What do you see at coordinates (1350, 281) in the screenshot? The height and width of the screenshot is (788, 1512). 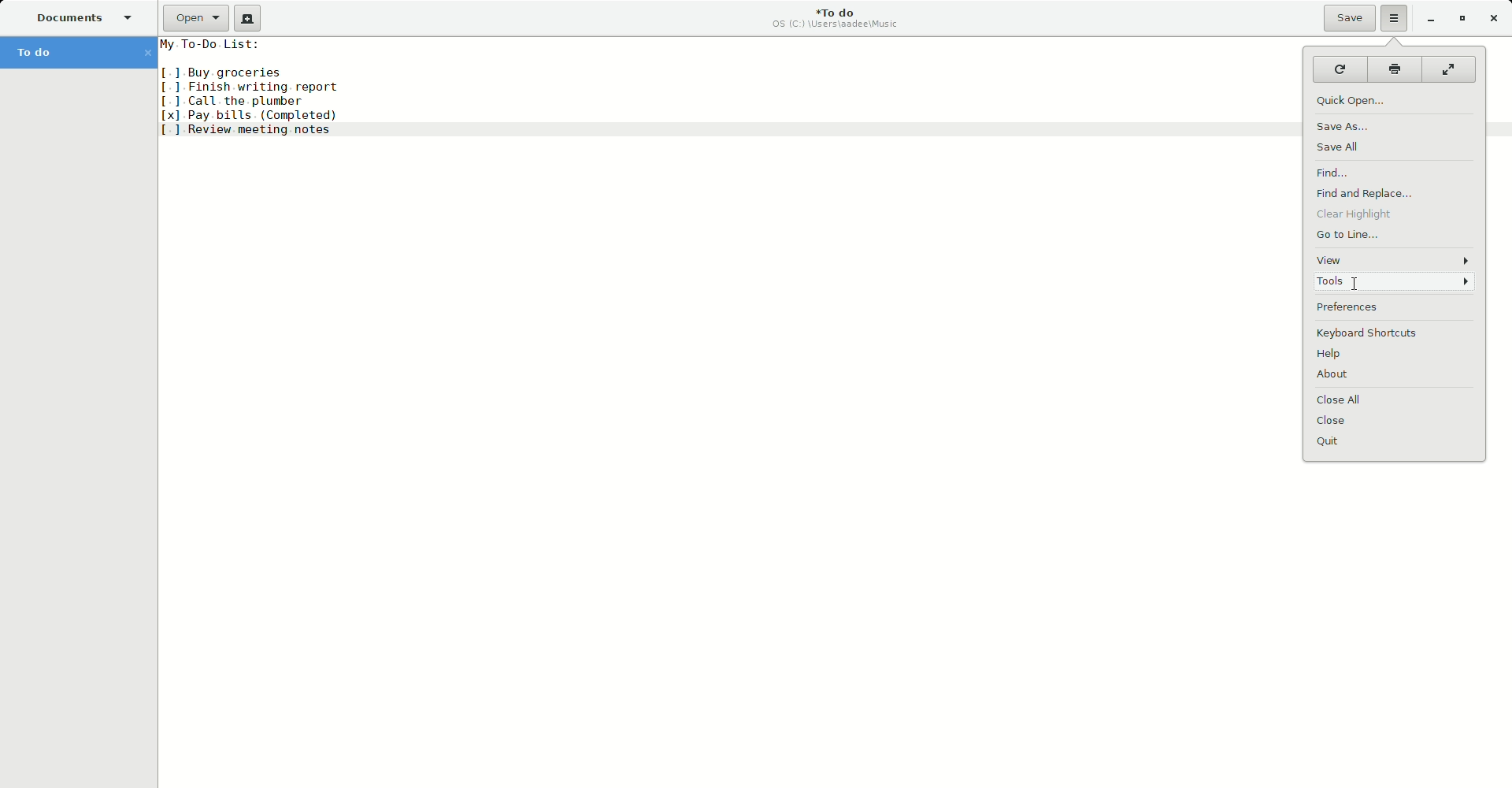 I see `cursor` at bounding box center [1350, 281].